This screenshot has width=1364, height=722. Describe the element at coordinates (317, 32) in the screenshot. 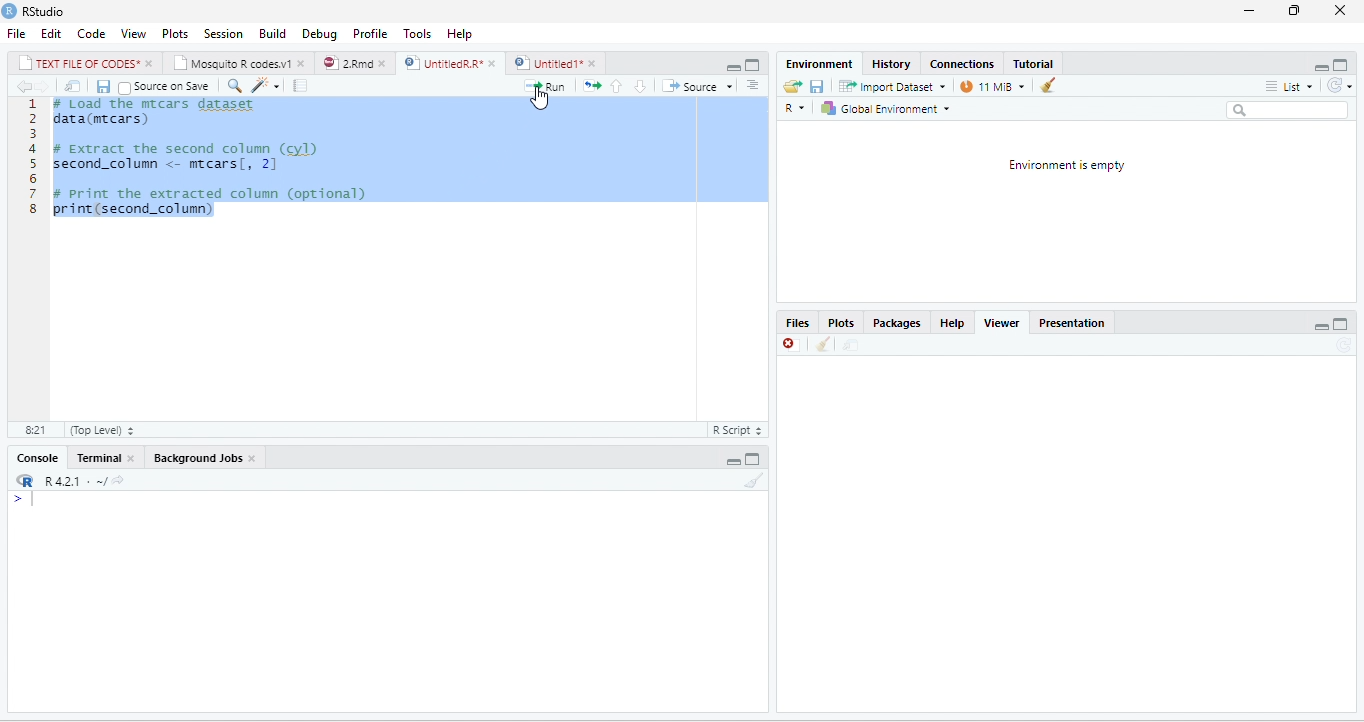

I see `Debug` at that location.